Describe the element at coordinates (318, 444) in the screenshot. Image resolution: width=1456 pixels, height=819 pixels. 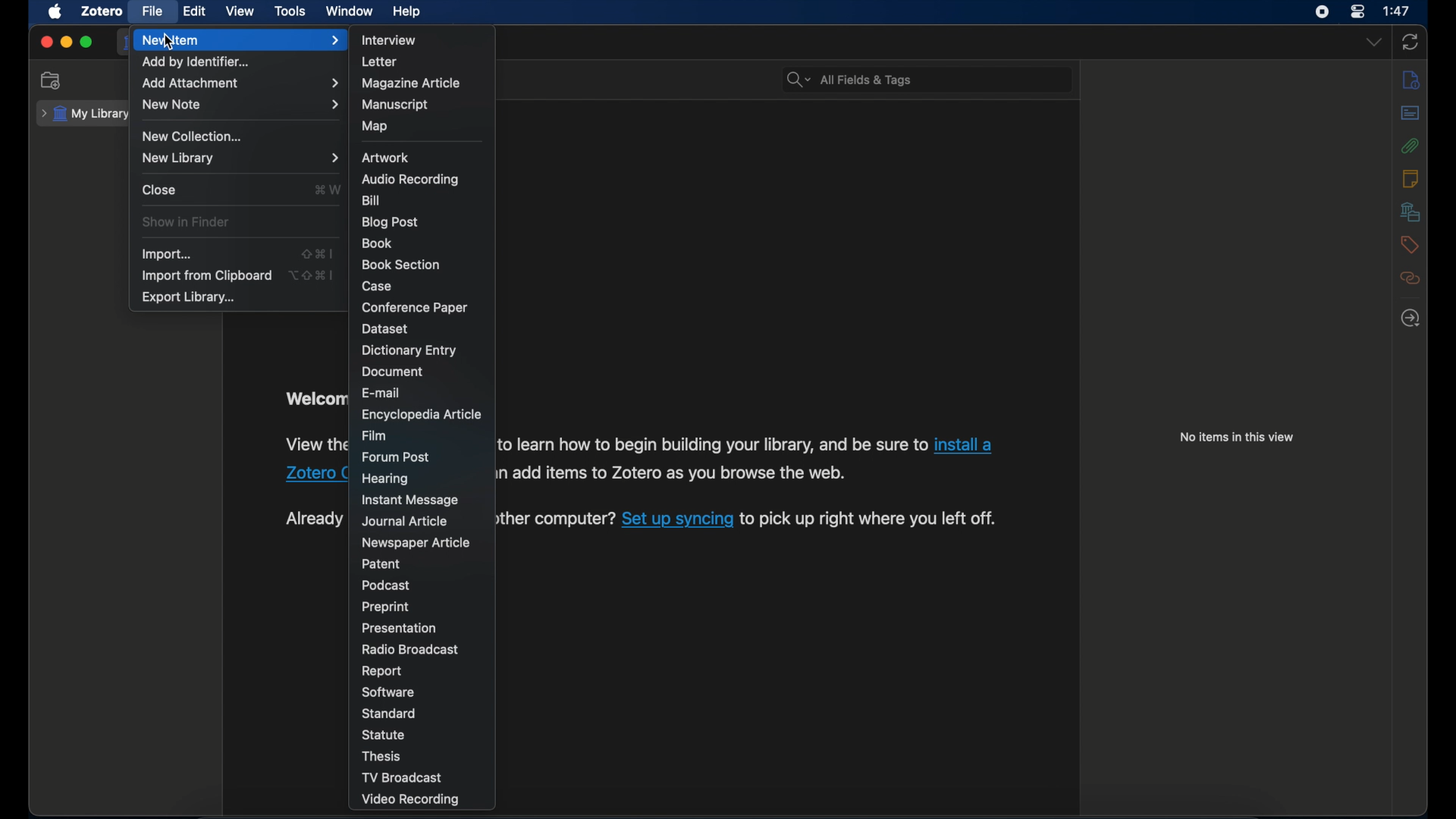
I see `View the` at that location.